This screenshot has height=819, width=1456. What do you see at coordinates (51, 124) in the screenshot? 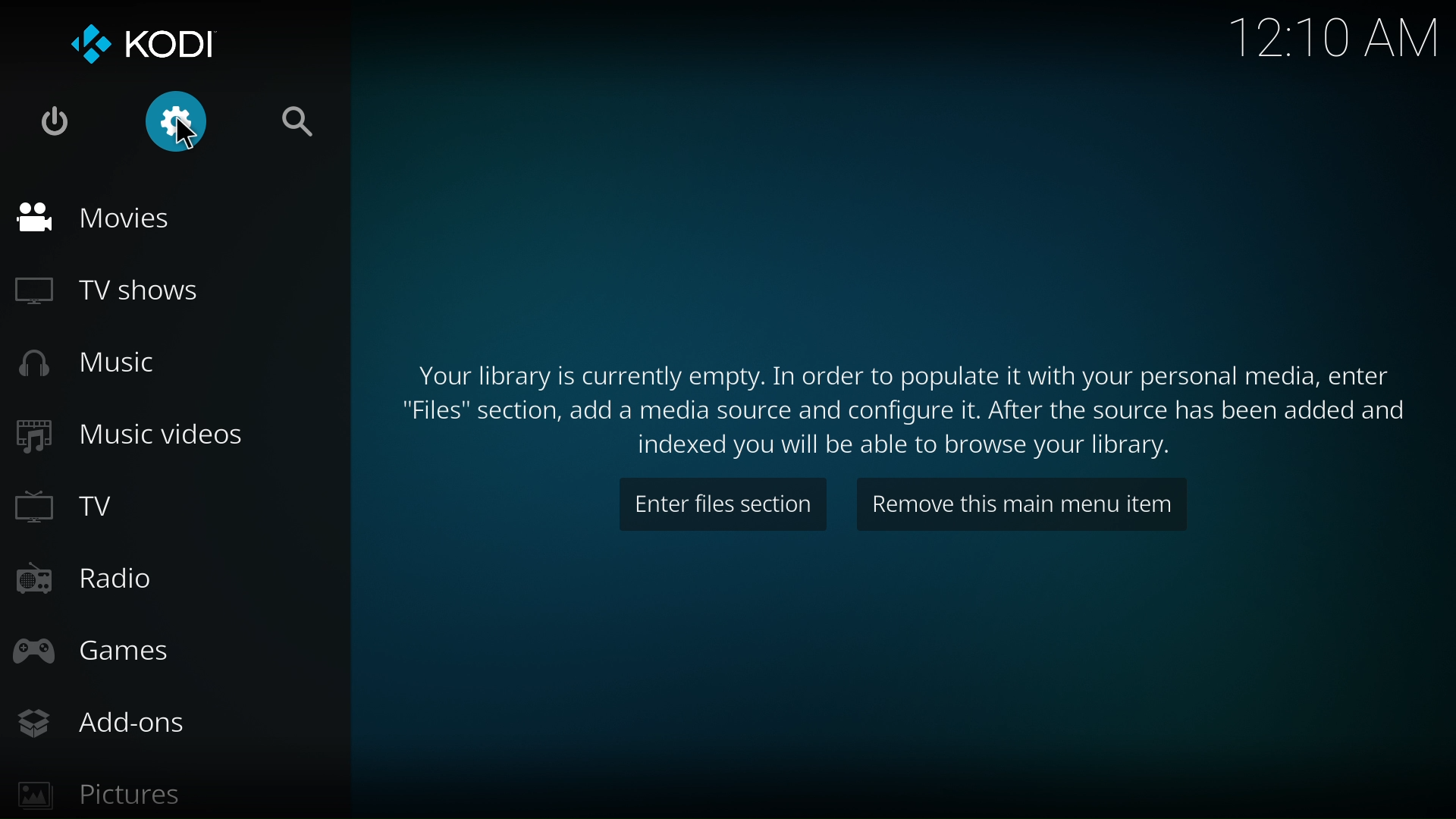
I see `exit` at bounding box center [51, 124].